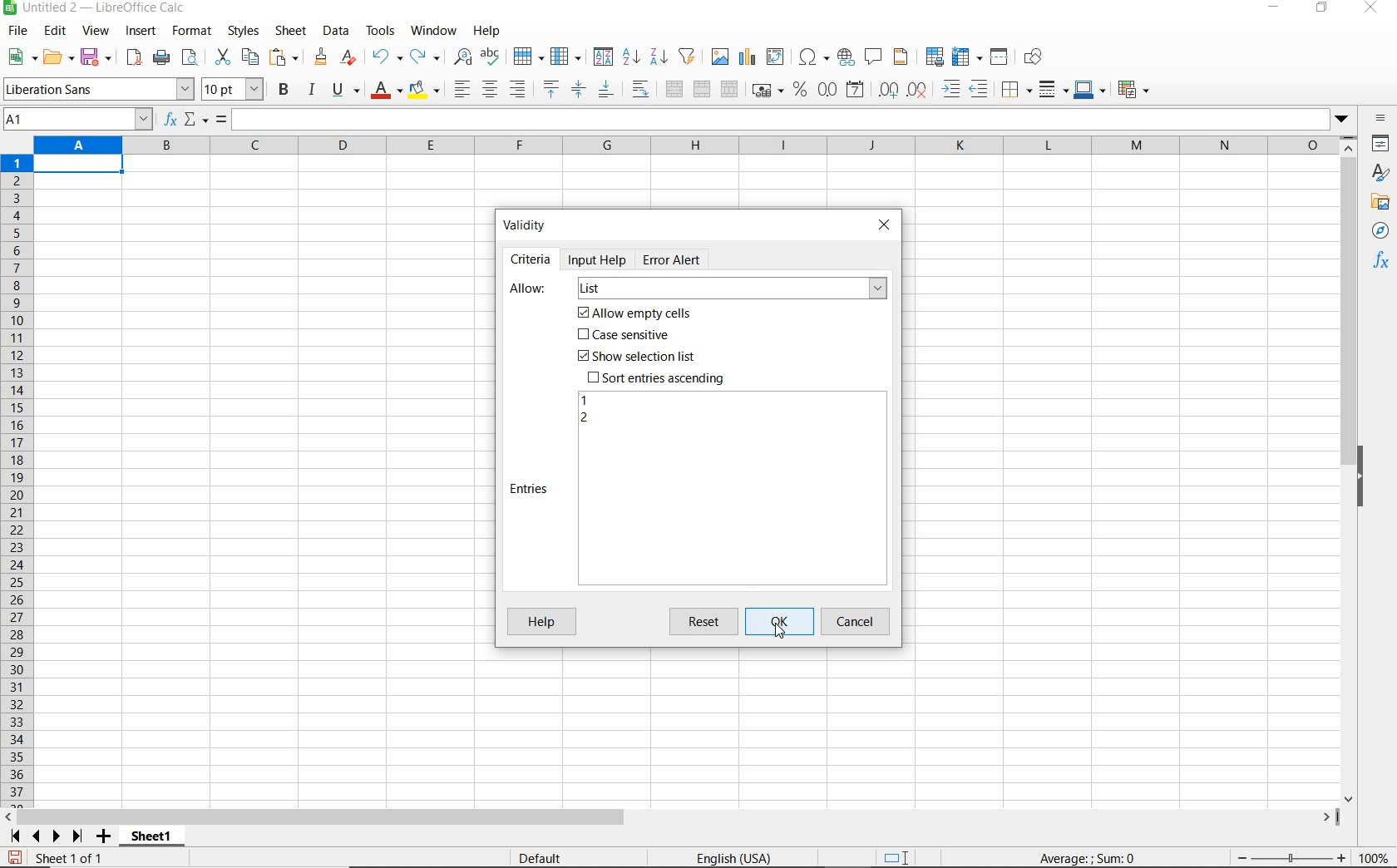 The width and height of the screenshot is (1397, 868). Describe the element at coordinates (827, 89) in the screenshot. I see `format as number` at that location.